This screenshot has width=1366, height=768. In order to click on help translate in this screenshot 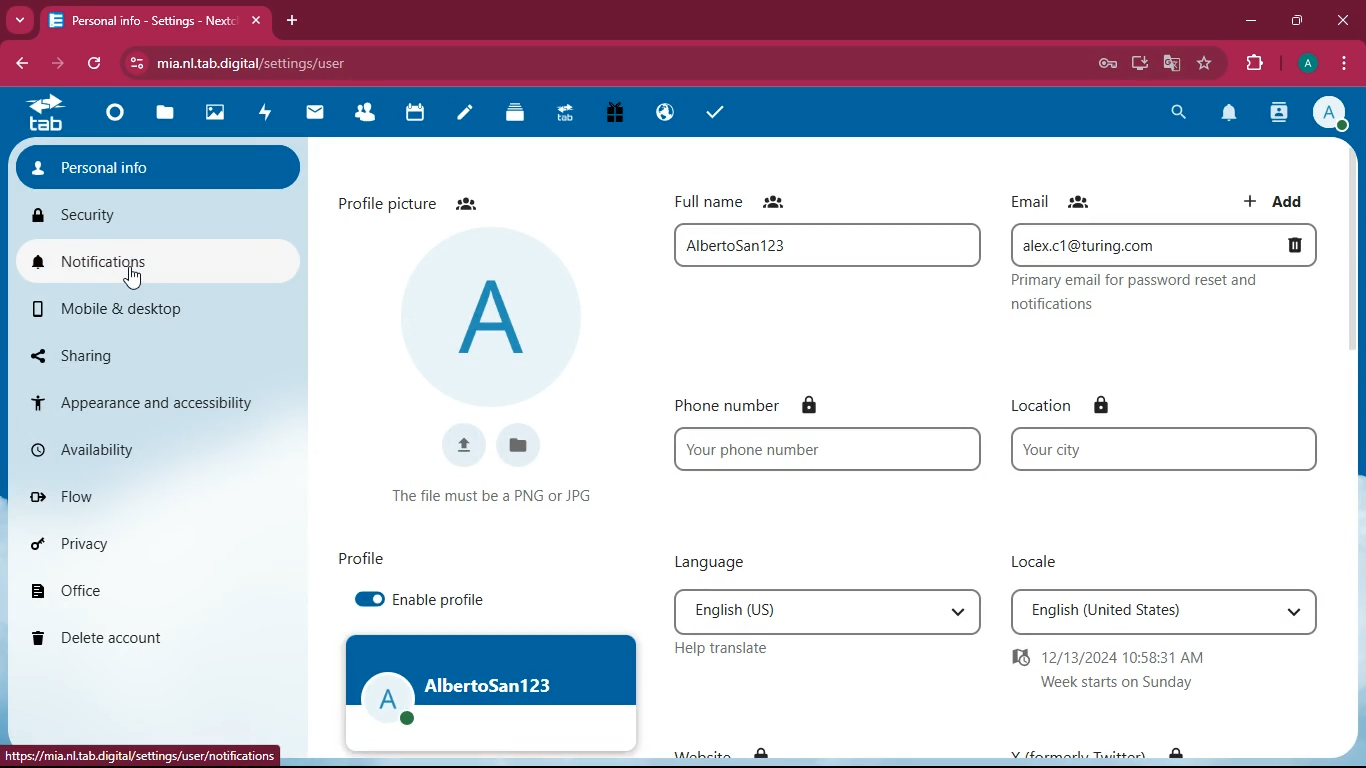, I will do `click(722, 650)`.